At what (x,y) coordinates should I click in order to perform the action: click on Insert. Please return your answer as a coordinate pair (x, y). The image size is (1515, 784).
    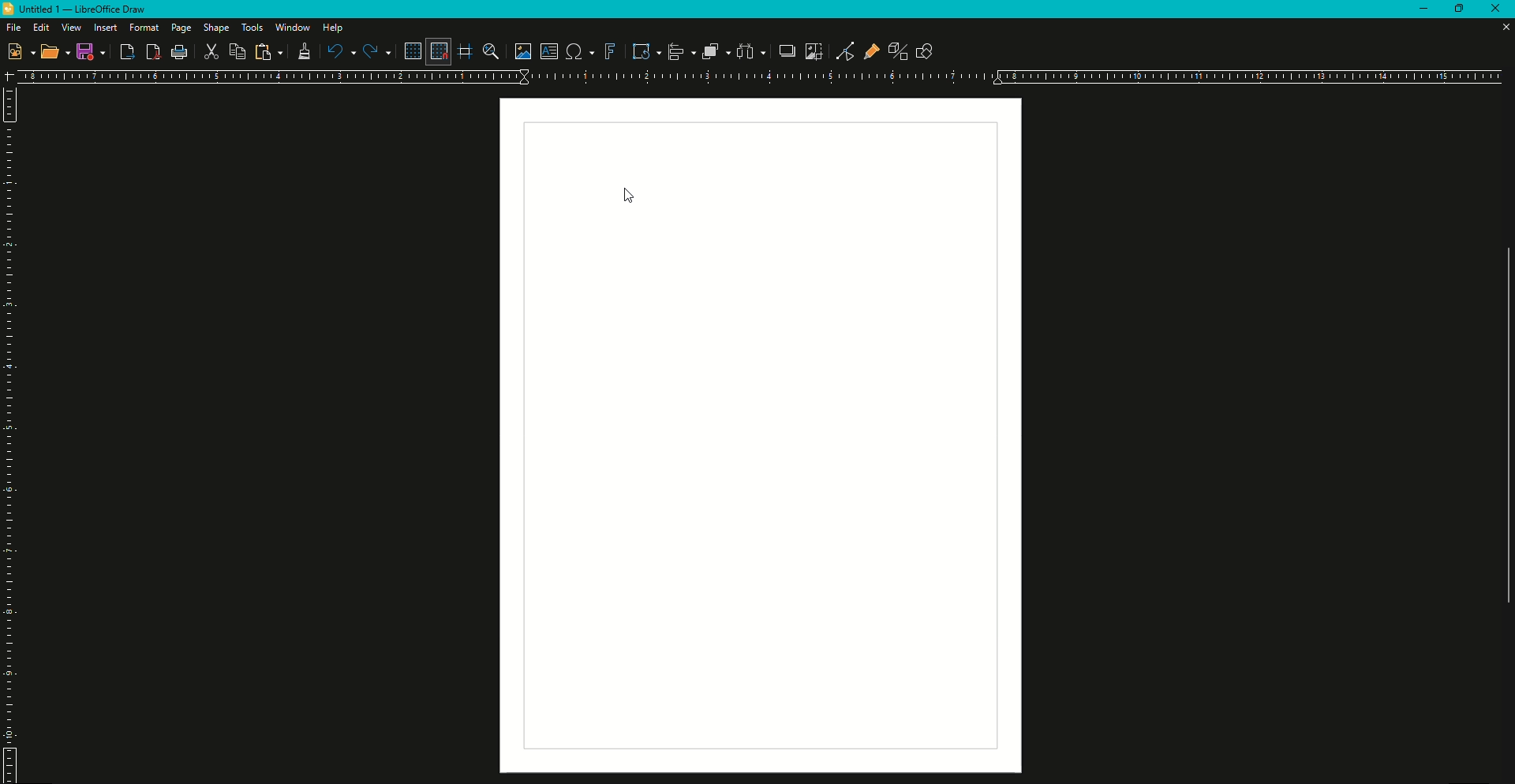
    Looking at the image, I should click on (102, 28).